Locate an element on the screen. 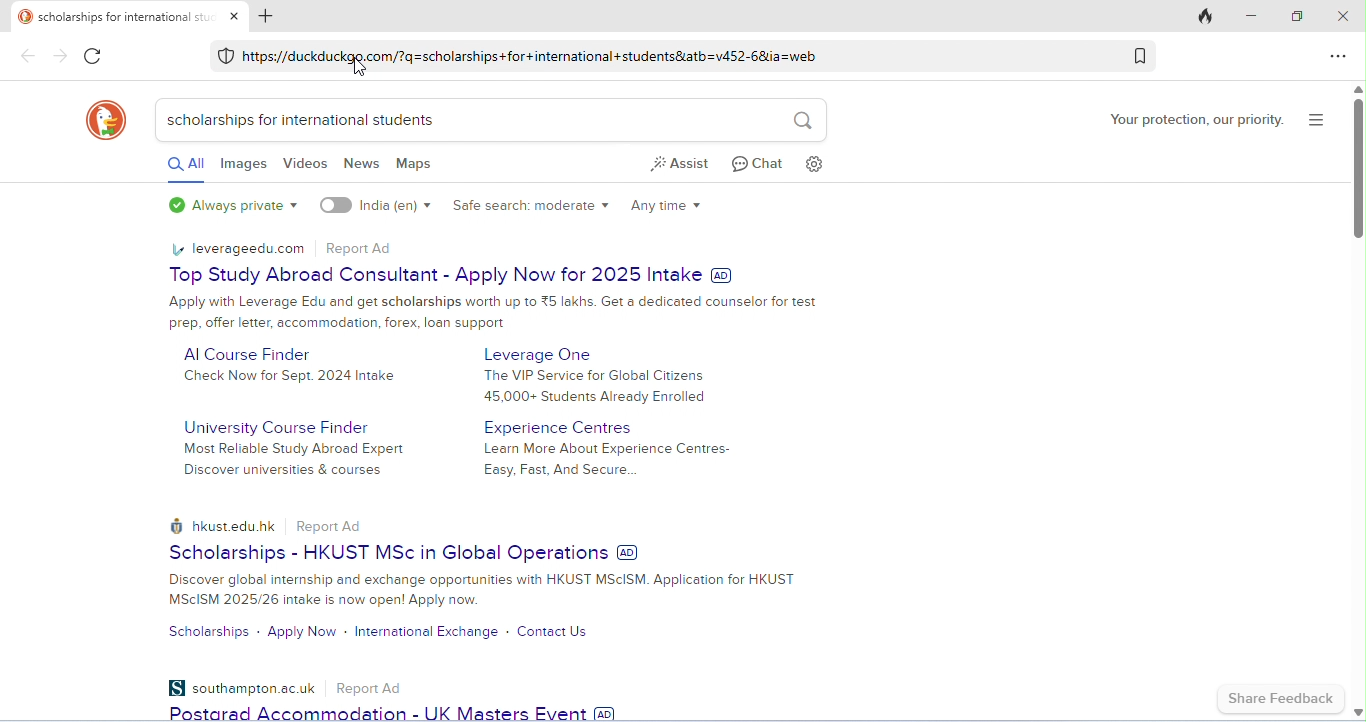  text on Scholarships - HKUST MSc in Global Operations is located at coordinates (487, 593).